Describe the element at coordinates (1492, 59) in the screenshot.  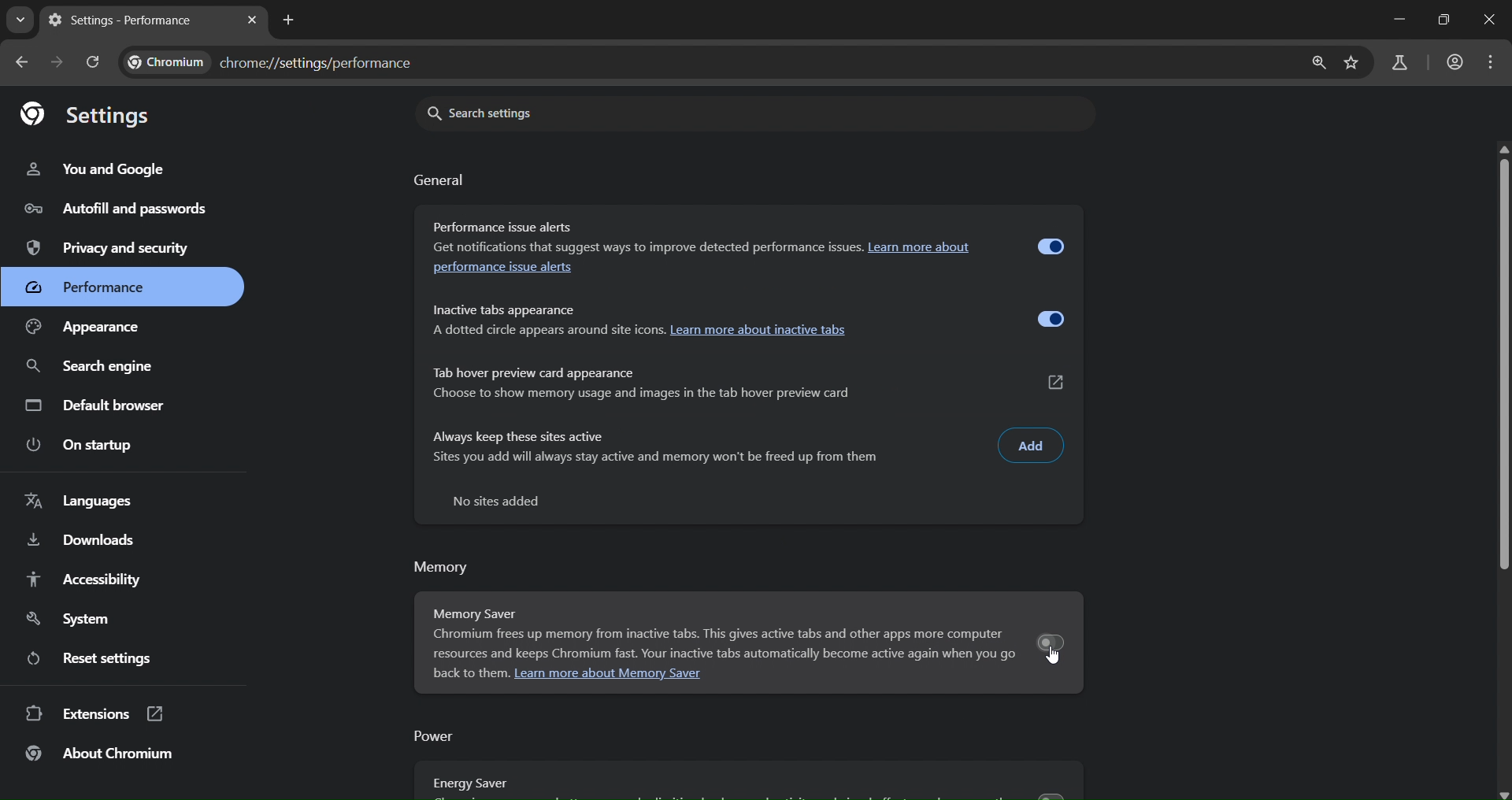
I see `menu` at that location.